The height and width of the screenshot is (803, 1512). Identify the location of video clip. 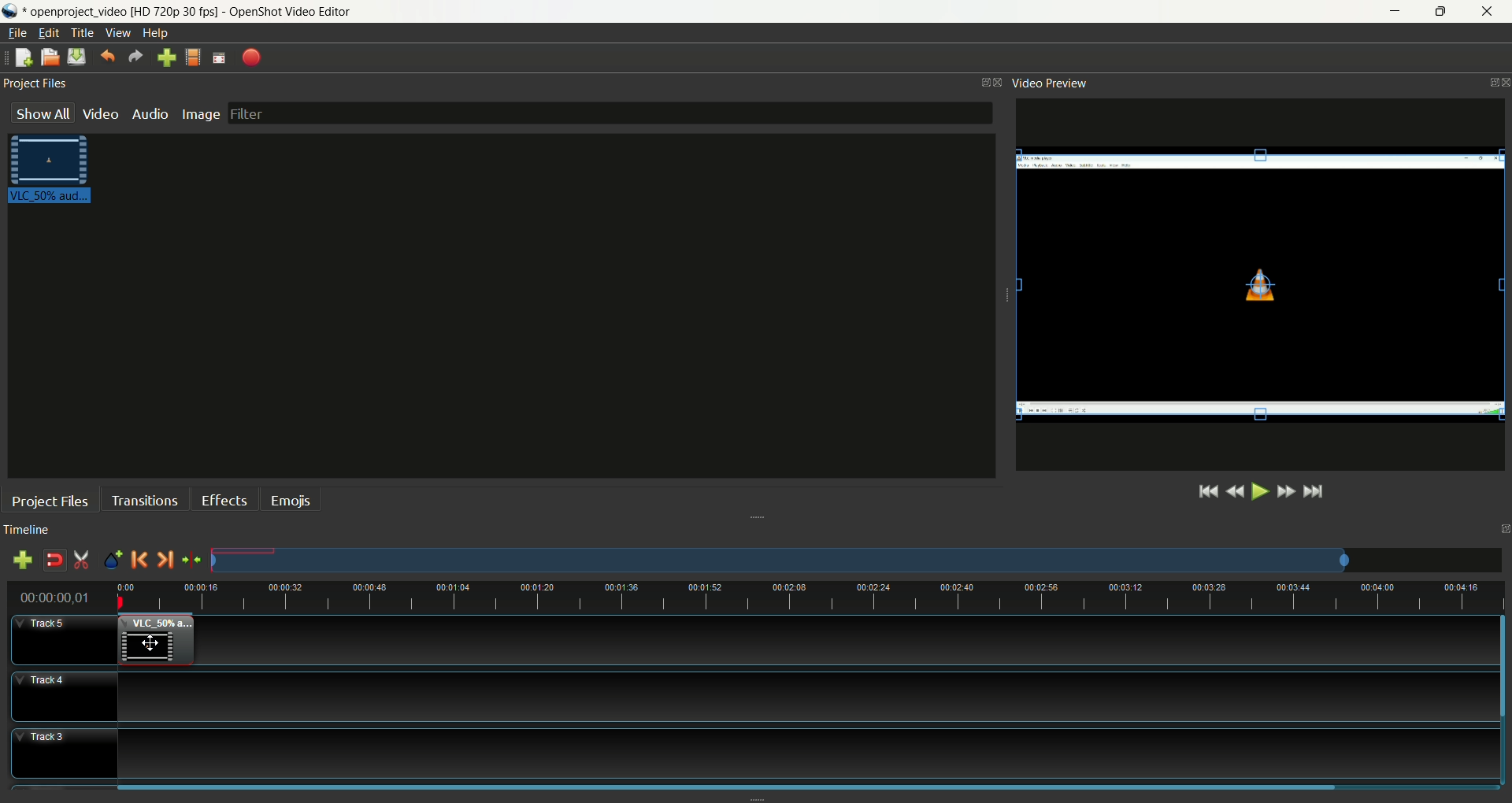
(53, 171).